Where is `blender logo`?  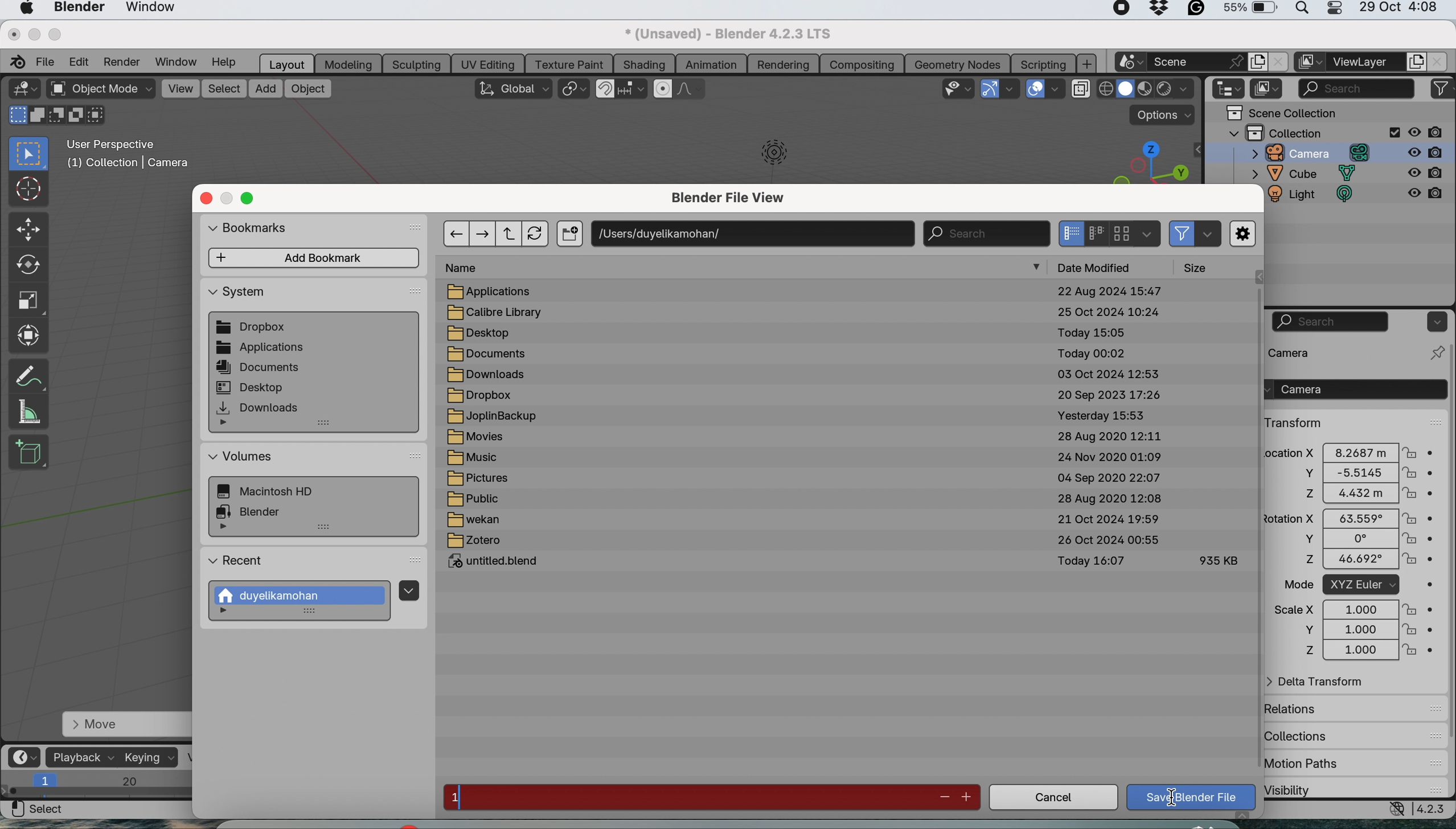 blender logo is located at coordinates (14, 62).